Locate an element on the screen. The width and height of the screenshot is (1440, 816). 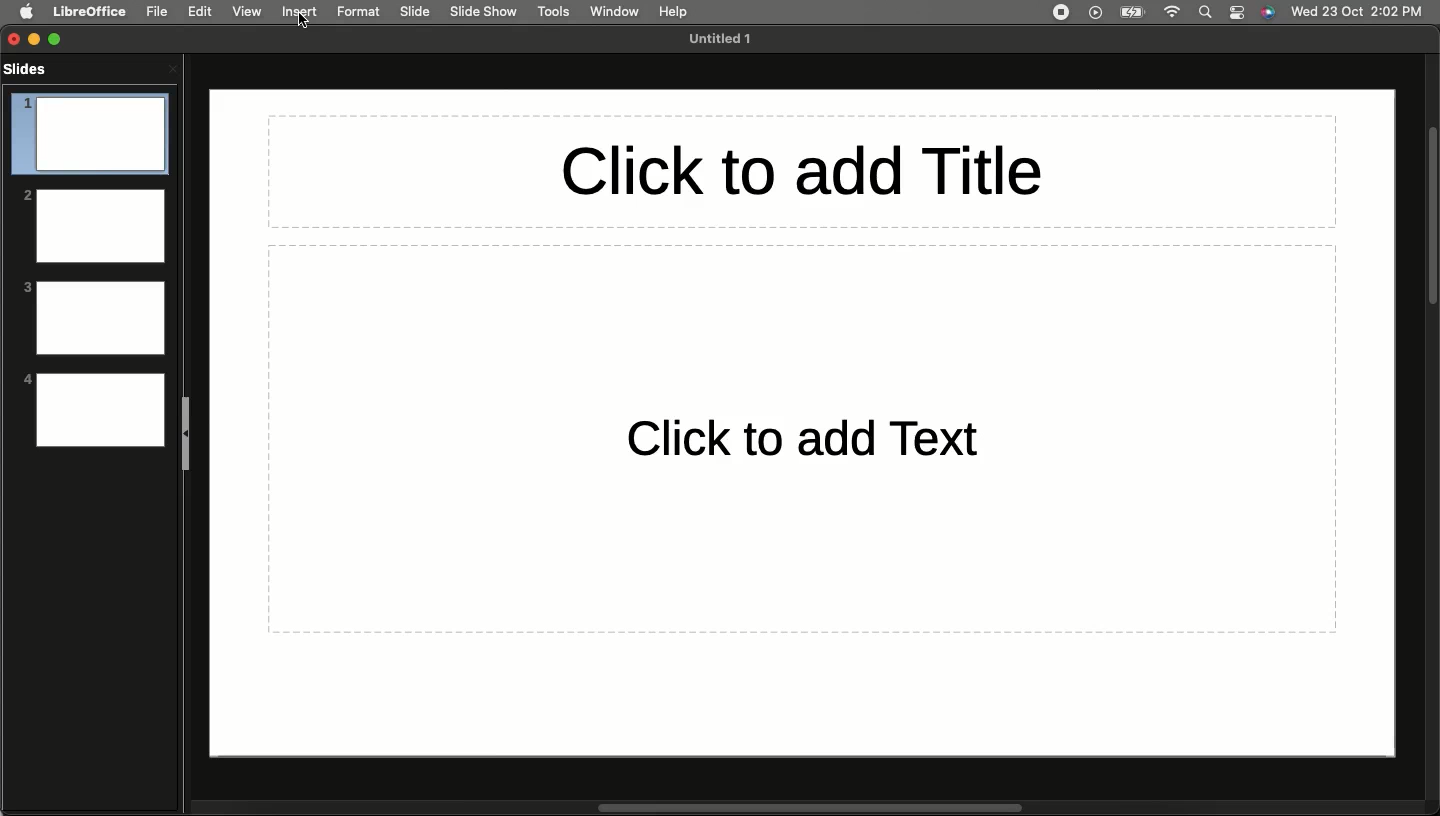
View is located at coordinates (246, 11).